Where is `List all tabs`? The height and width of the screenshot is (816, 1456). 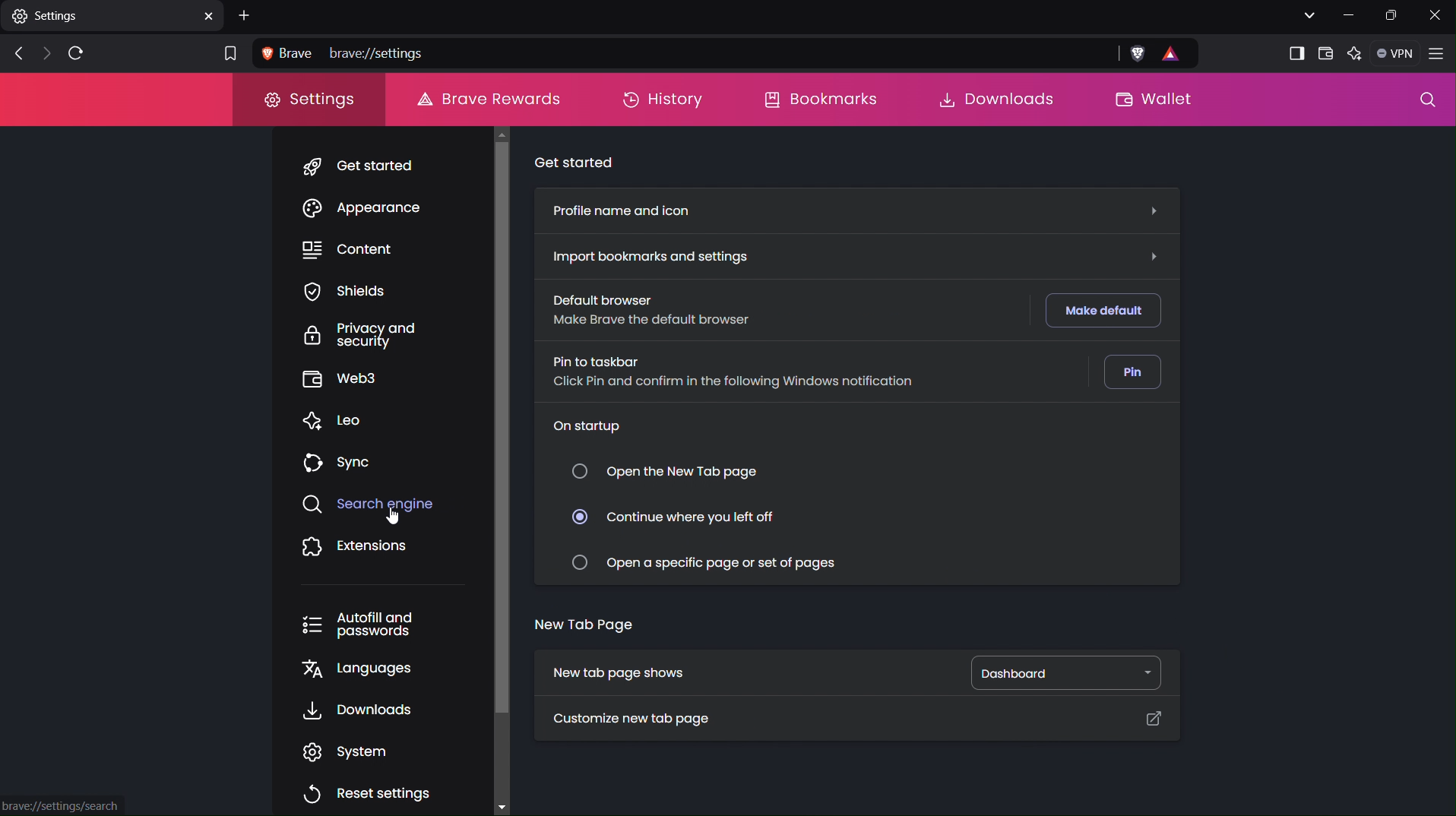
List all tabs is located at coordinates (1307, 15).